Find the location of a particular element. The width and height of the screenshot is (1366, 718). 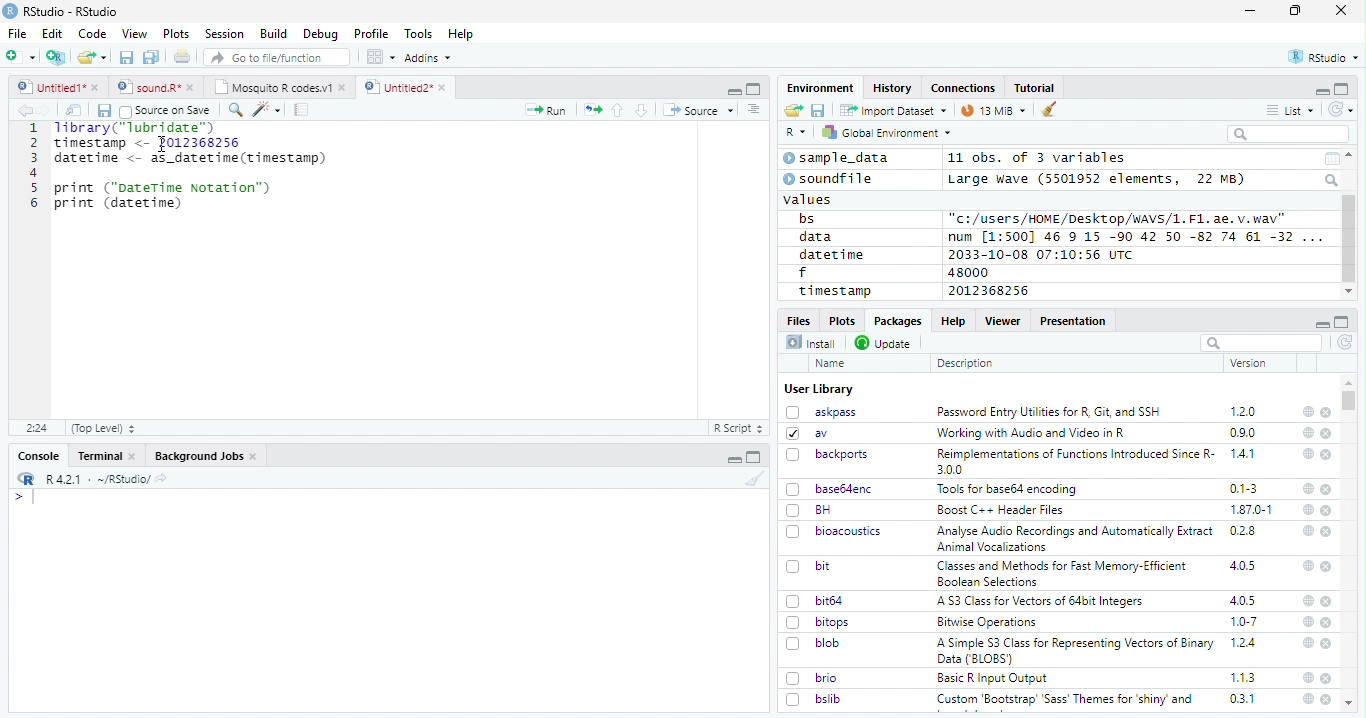

minimize is located at coordinates (733, 89).